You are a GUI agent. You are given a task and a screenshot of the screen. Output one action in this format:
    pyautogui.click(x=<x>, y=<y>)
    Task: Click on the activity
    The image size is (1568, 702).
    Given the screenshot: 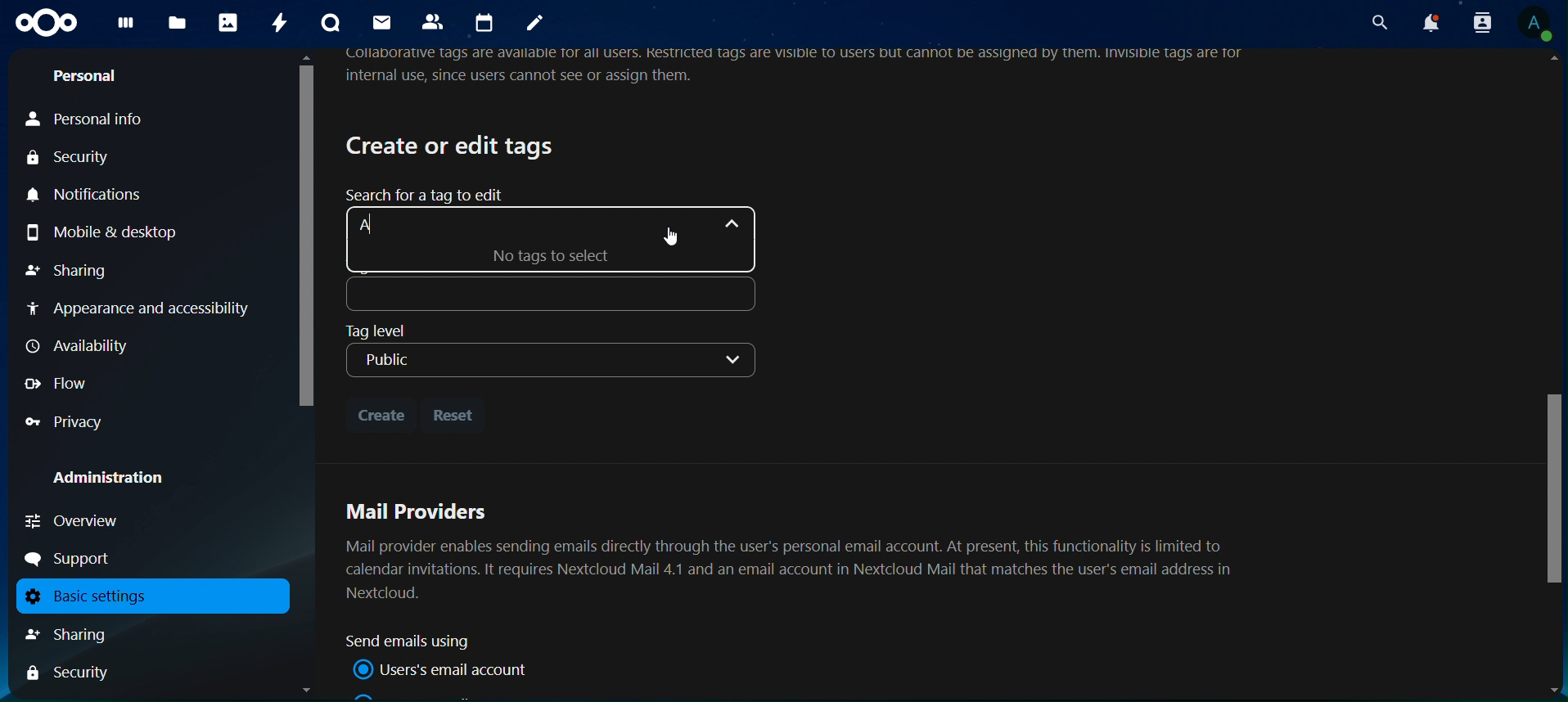 What is the action you would take?
    pyautogui.click(x=282, y=23)
    